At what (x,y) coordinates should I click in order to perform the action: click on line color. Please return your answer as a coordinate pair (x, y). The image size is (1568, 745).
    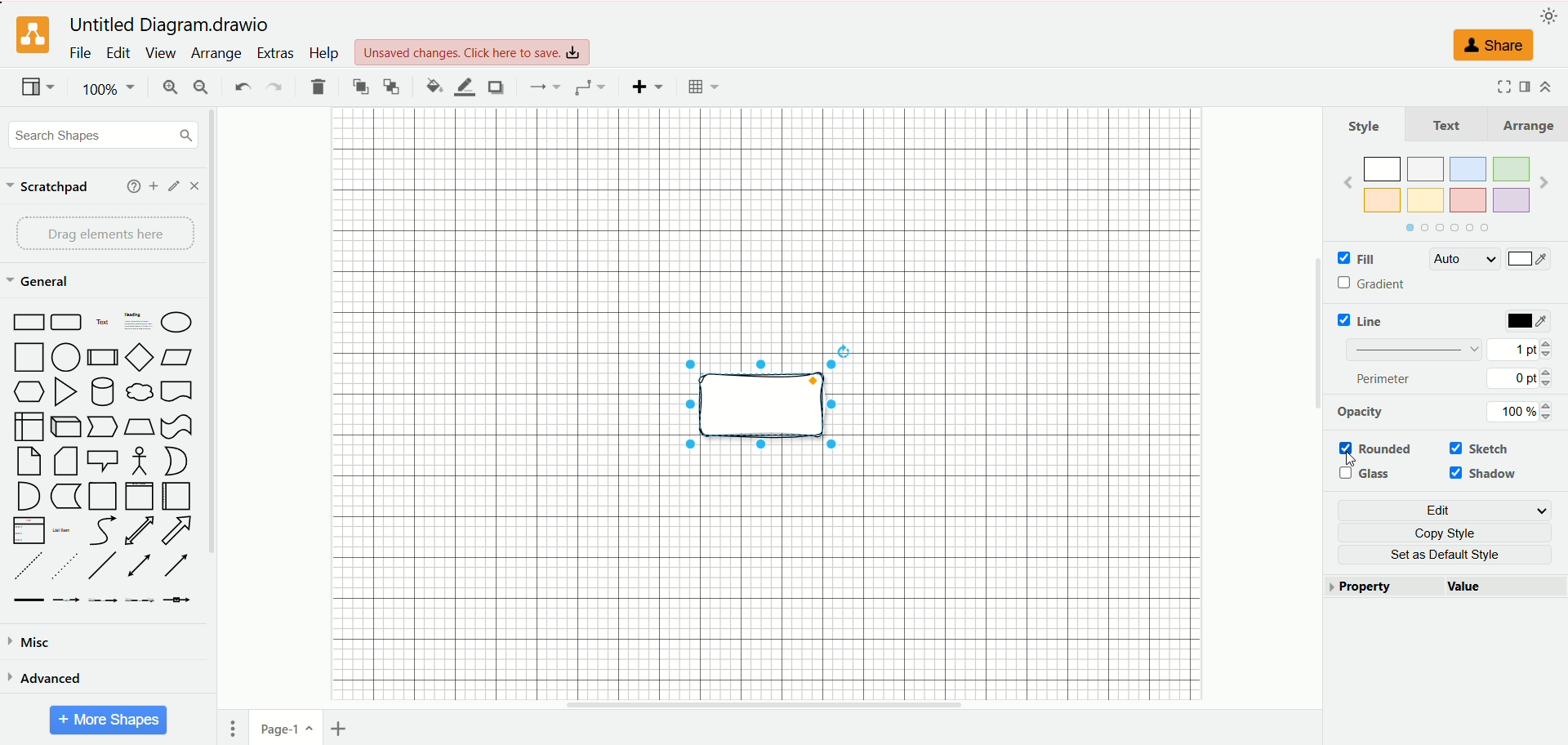
    Looking at the image, I should click on (464, 87).